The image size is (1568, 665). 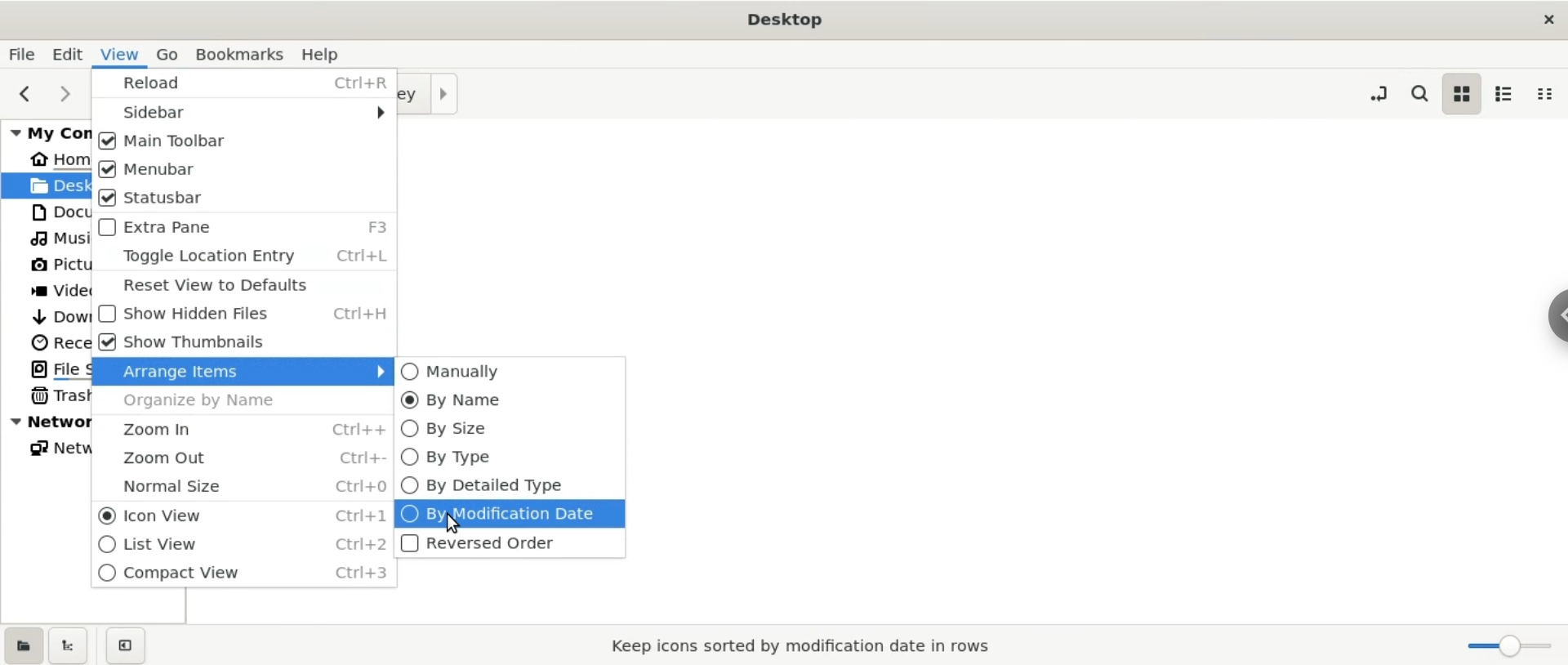 I want to click on reset view defaults, so click(x=243, y=285).